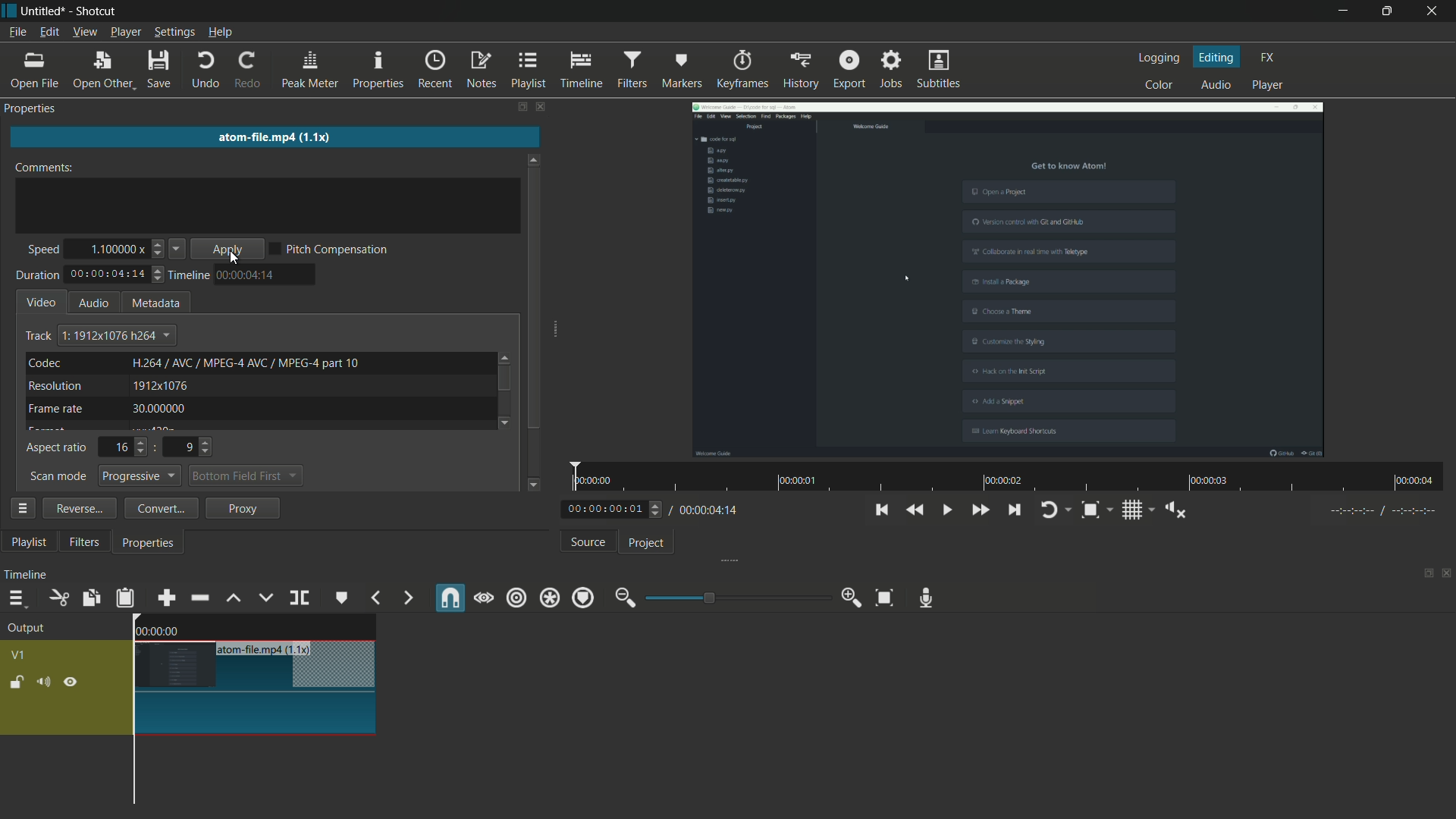 Image resolution: width=1456 pixels, height=819 pixels. Describe the element at coordinates (36, 276) in the screenshot. I see `duration` at that location.